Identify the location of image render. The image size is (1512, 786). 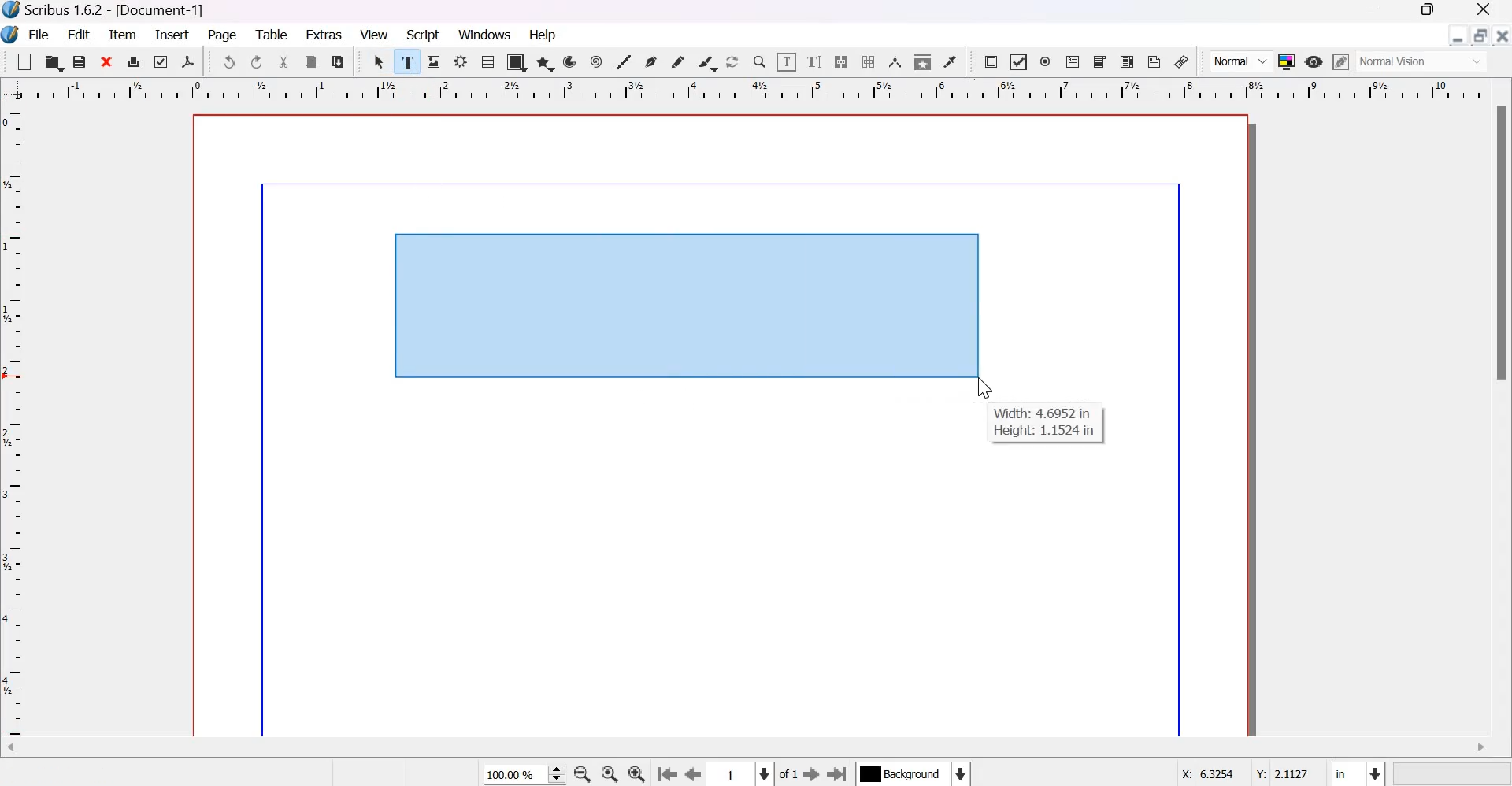
(435, 61).